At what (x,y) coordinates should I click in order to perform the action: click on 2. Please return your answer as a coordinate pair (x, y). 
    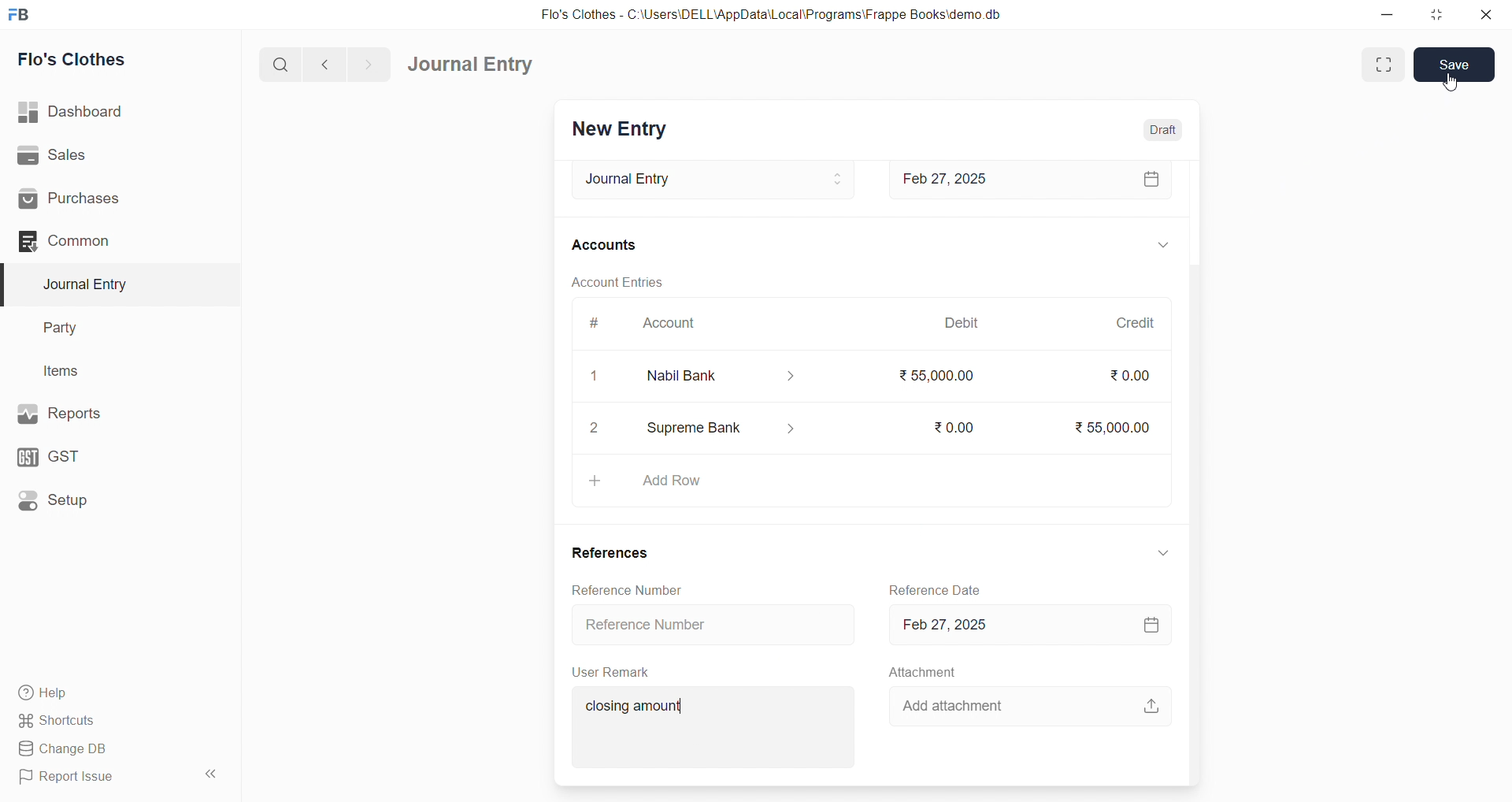
    Looking at the image, I should click on (598, 430).